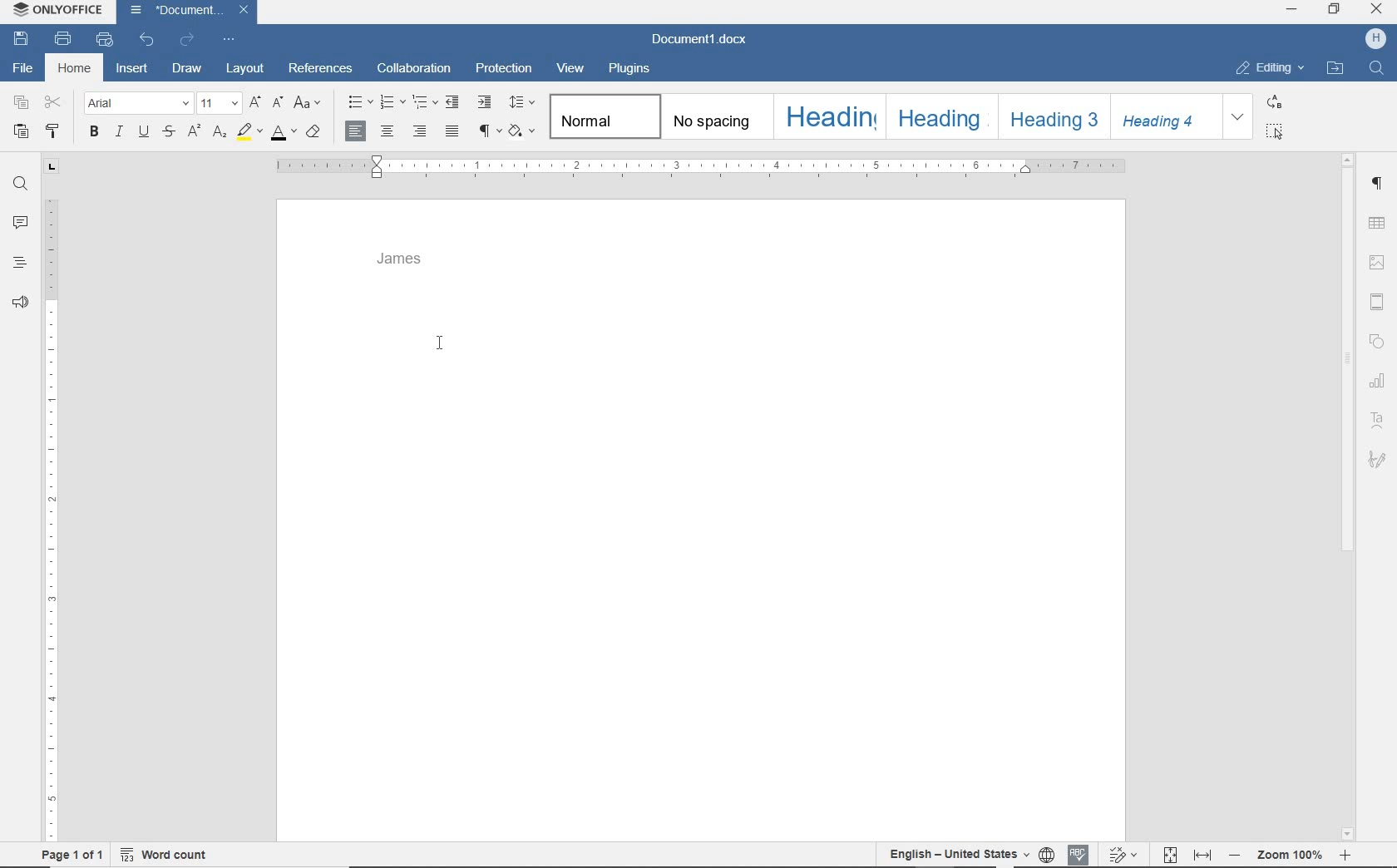 The image size is (1397, 868). I want to click on references, so click(321, 70).